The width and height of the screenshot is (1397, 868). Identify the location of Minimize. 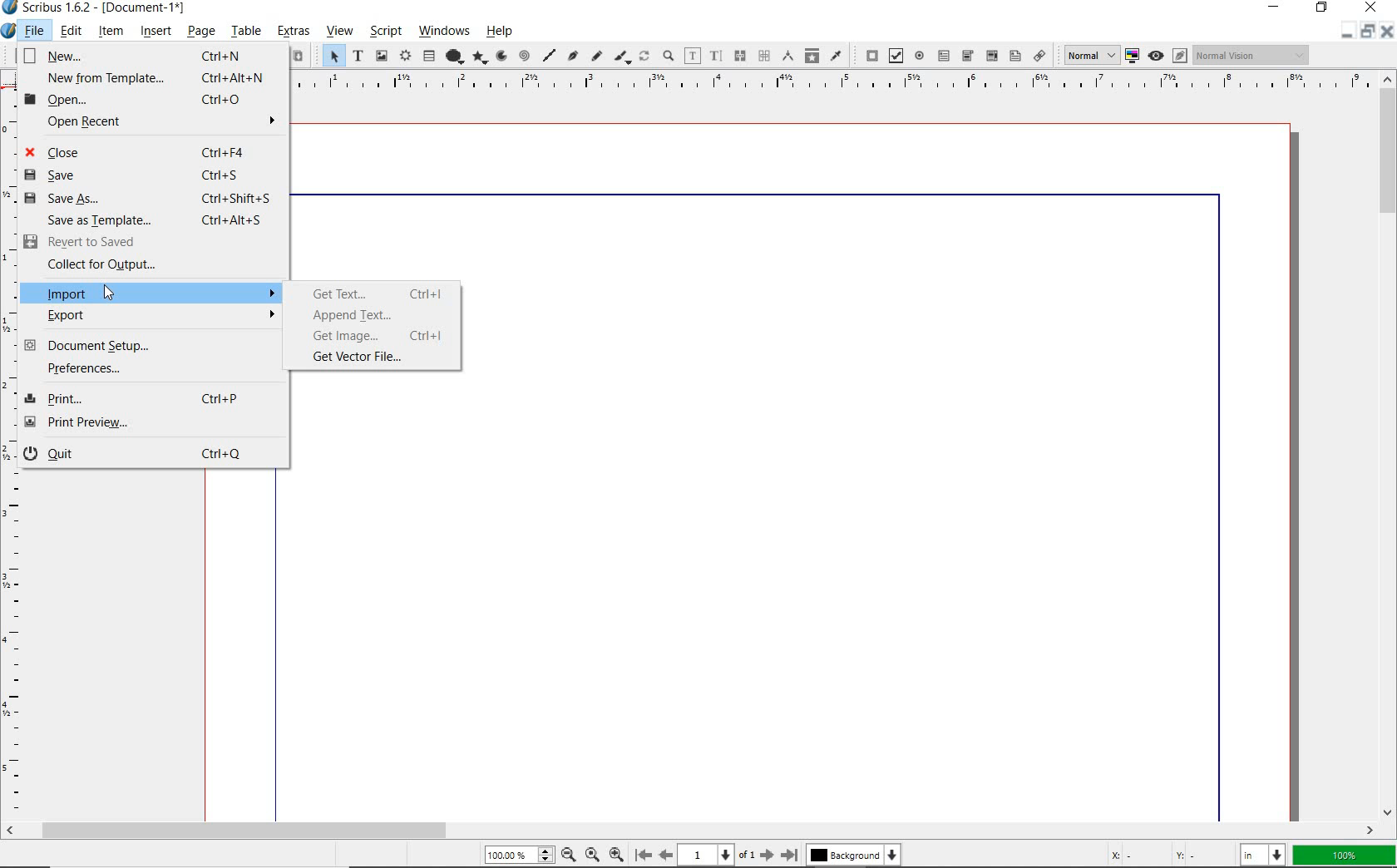
(1367, 31).